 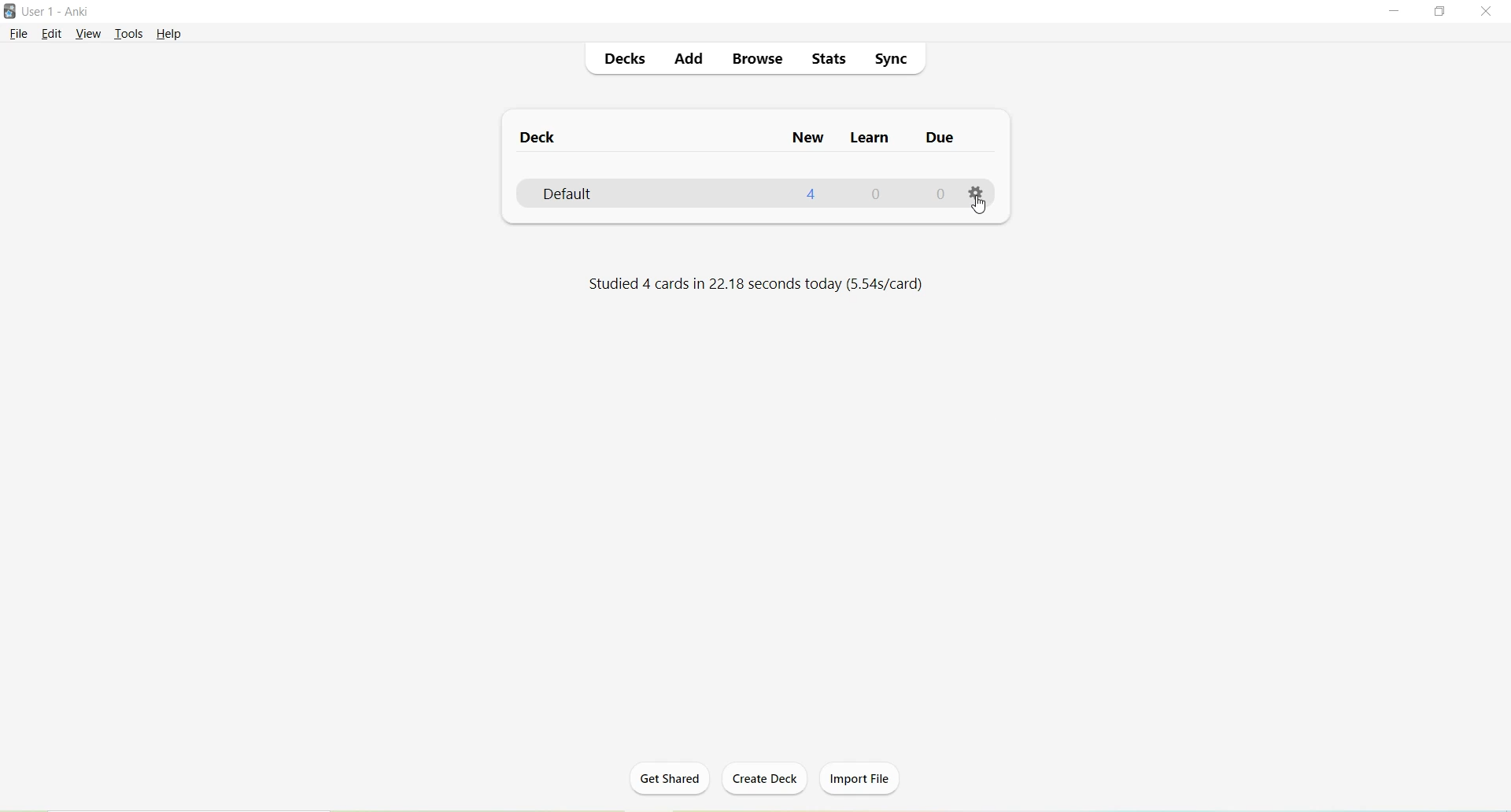 What do you see at coordinates (807, 139) in the screenshot?
I see `New` at bounding box center [807, 139].